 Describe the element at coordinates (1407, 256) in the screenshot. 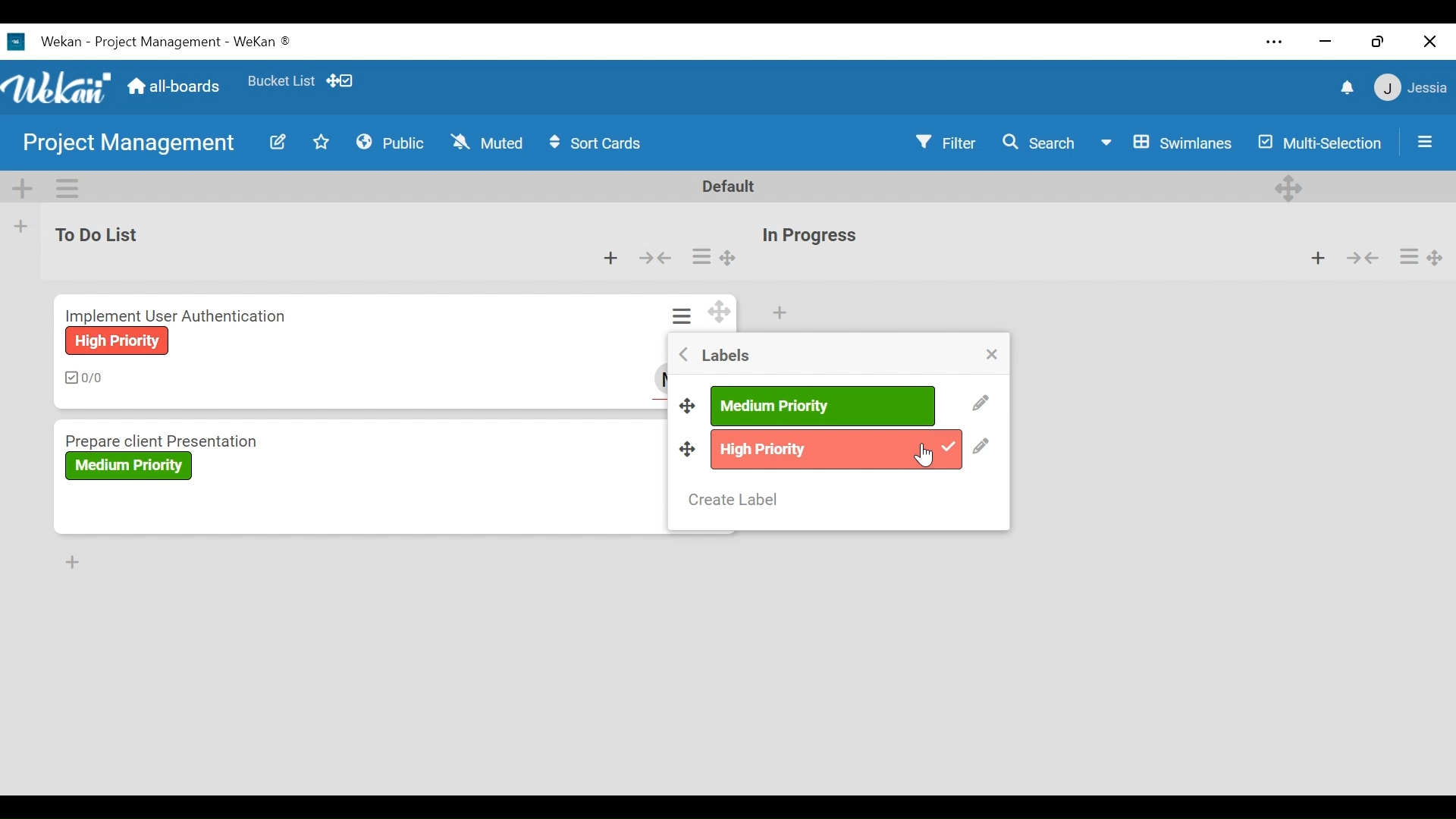

I see `Card actions` at that location.